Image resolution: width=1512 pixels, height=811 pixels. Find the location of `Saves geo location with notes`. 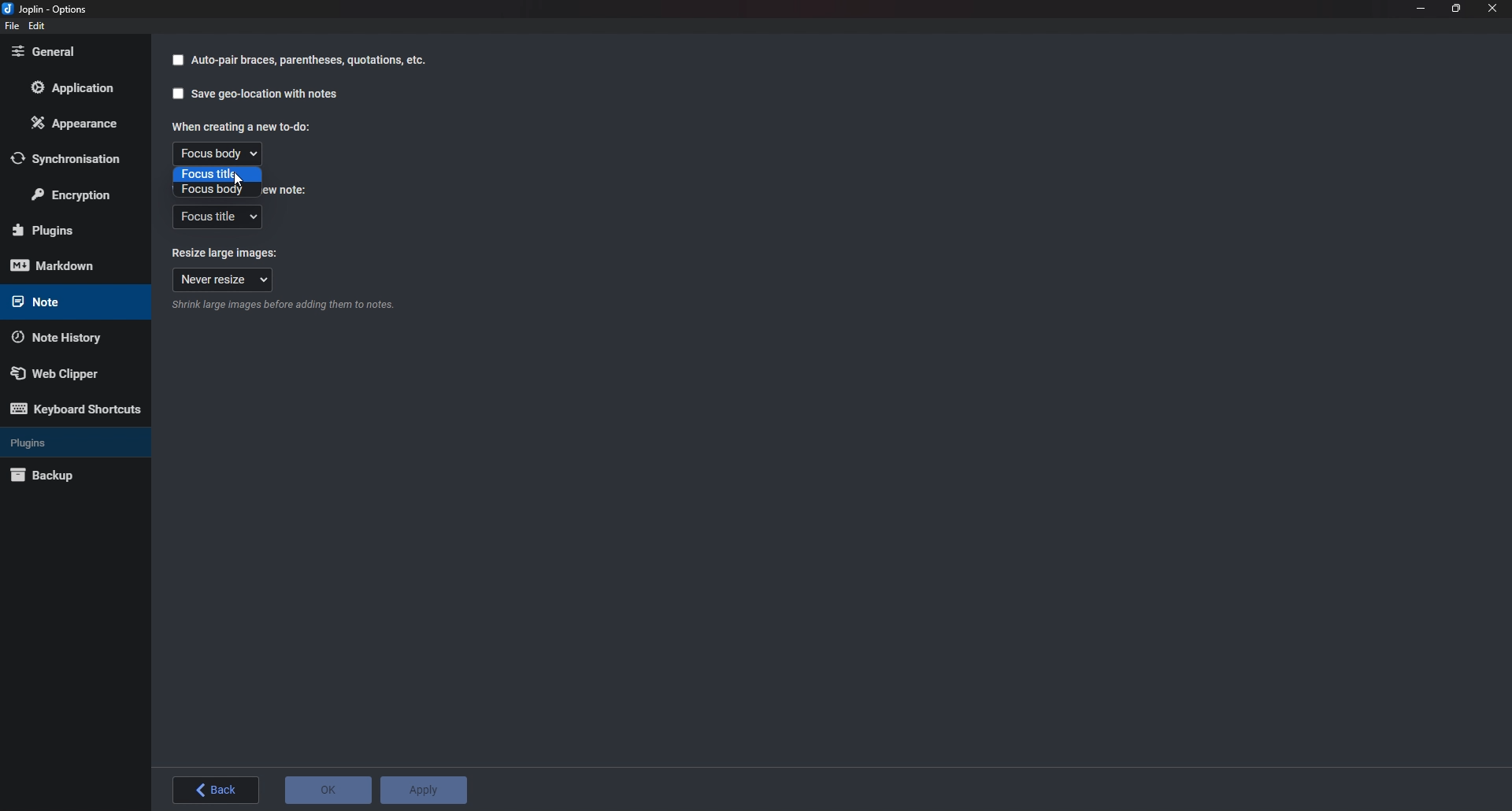

Saves geo location with notes is located at coordinates (265, 94).